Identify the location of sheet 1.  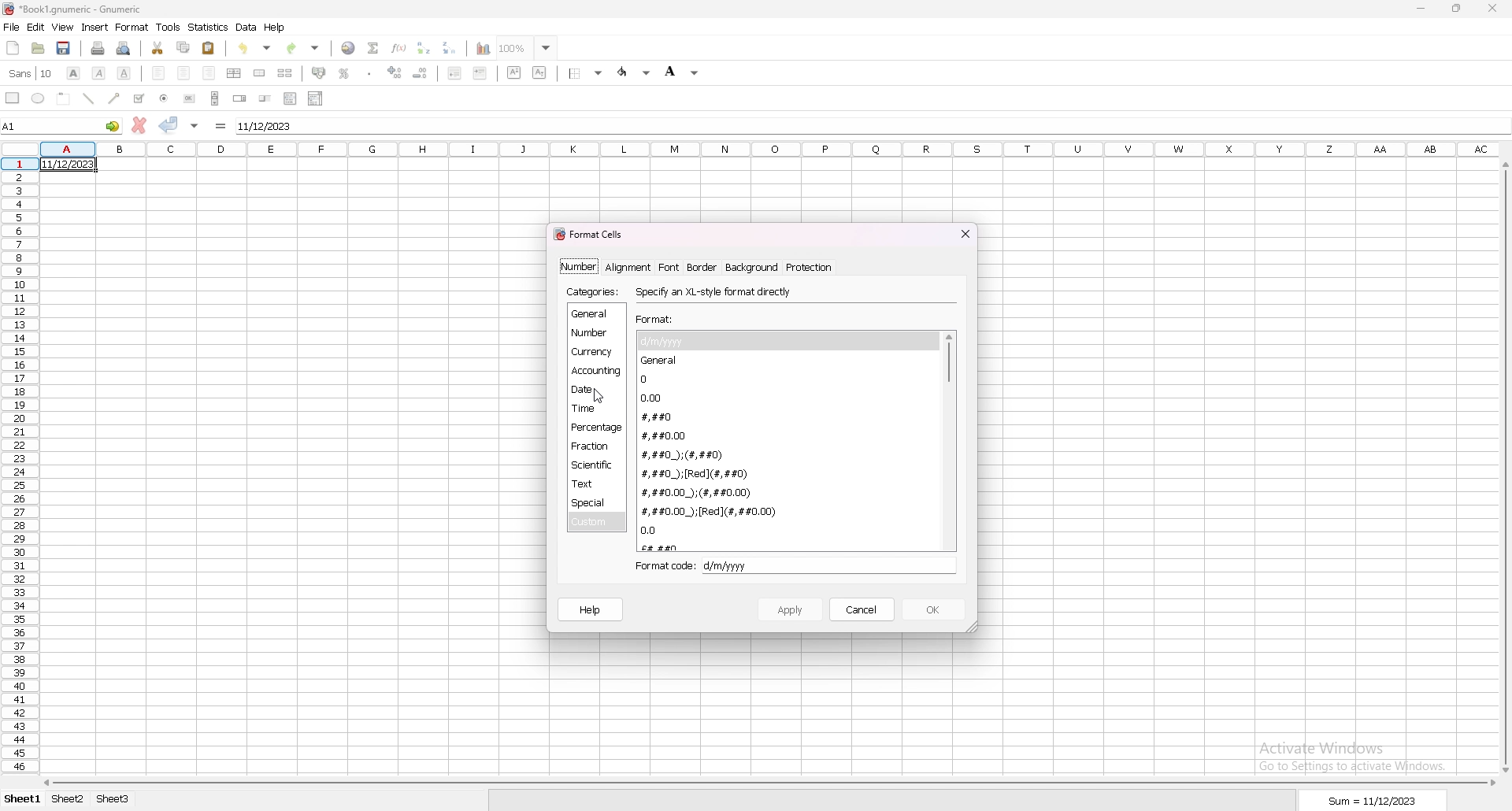
(24, 799).